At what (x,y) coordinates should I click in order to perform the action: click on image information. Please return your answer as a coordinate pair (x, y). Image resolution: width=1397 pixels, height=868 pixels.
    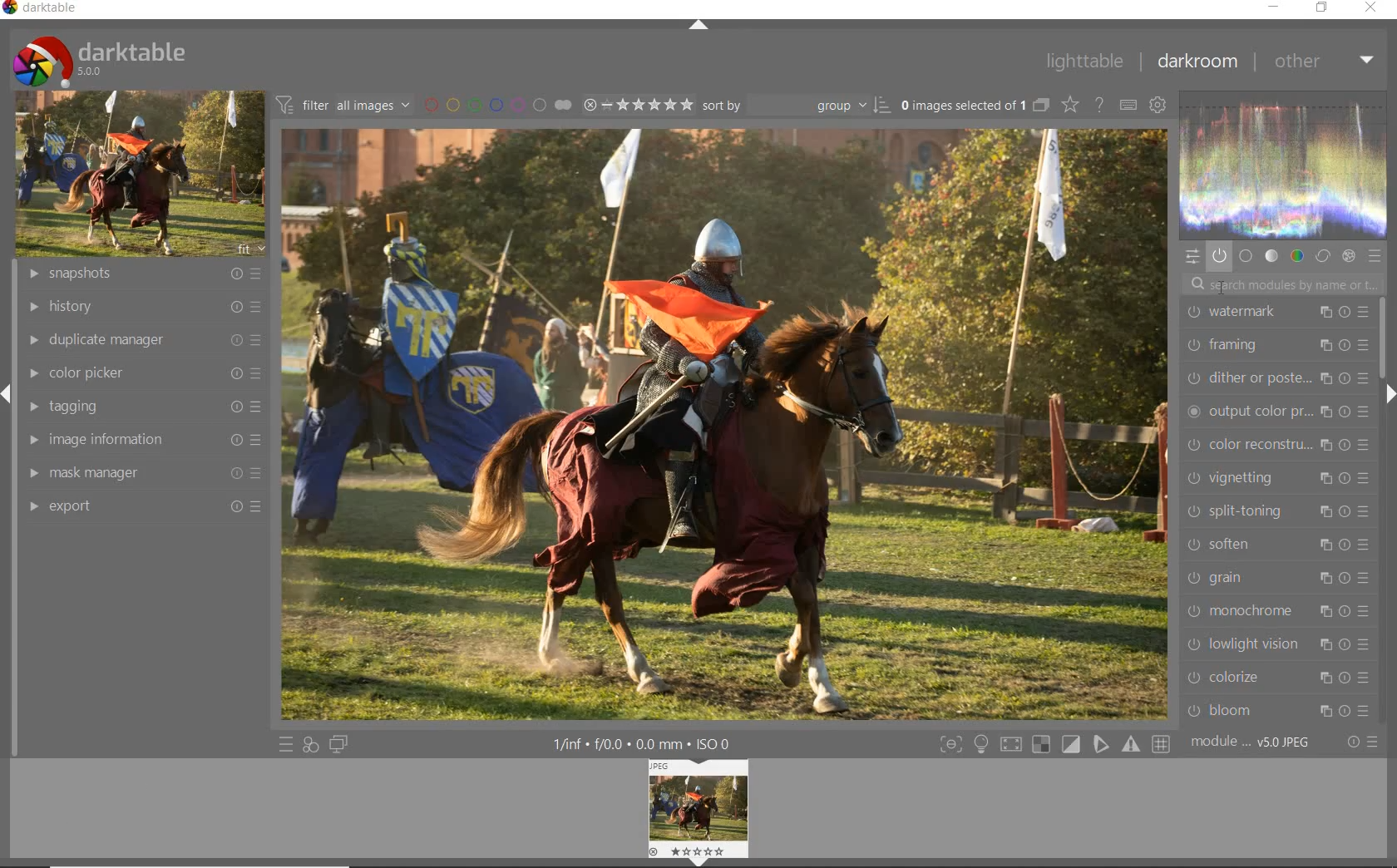
    Looking at the image, I should click on (141, 440).